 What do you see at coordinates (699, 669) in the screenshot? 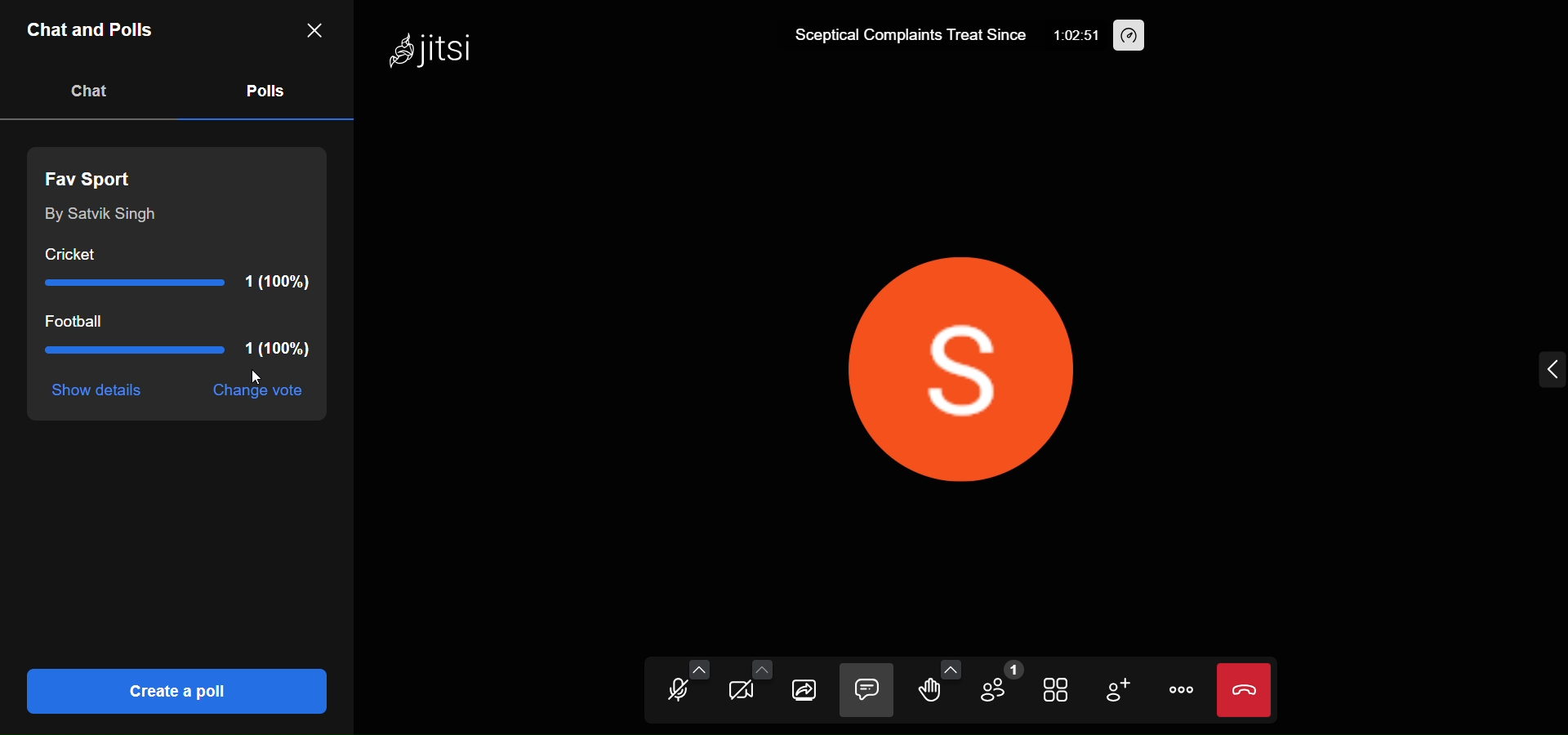
I see `more audio option` at bounding box center [699, 669].